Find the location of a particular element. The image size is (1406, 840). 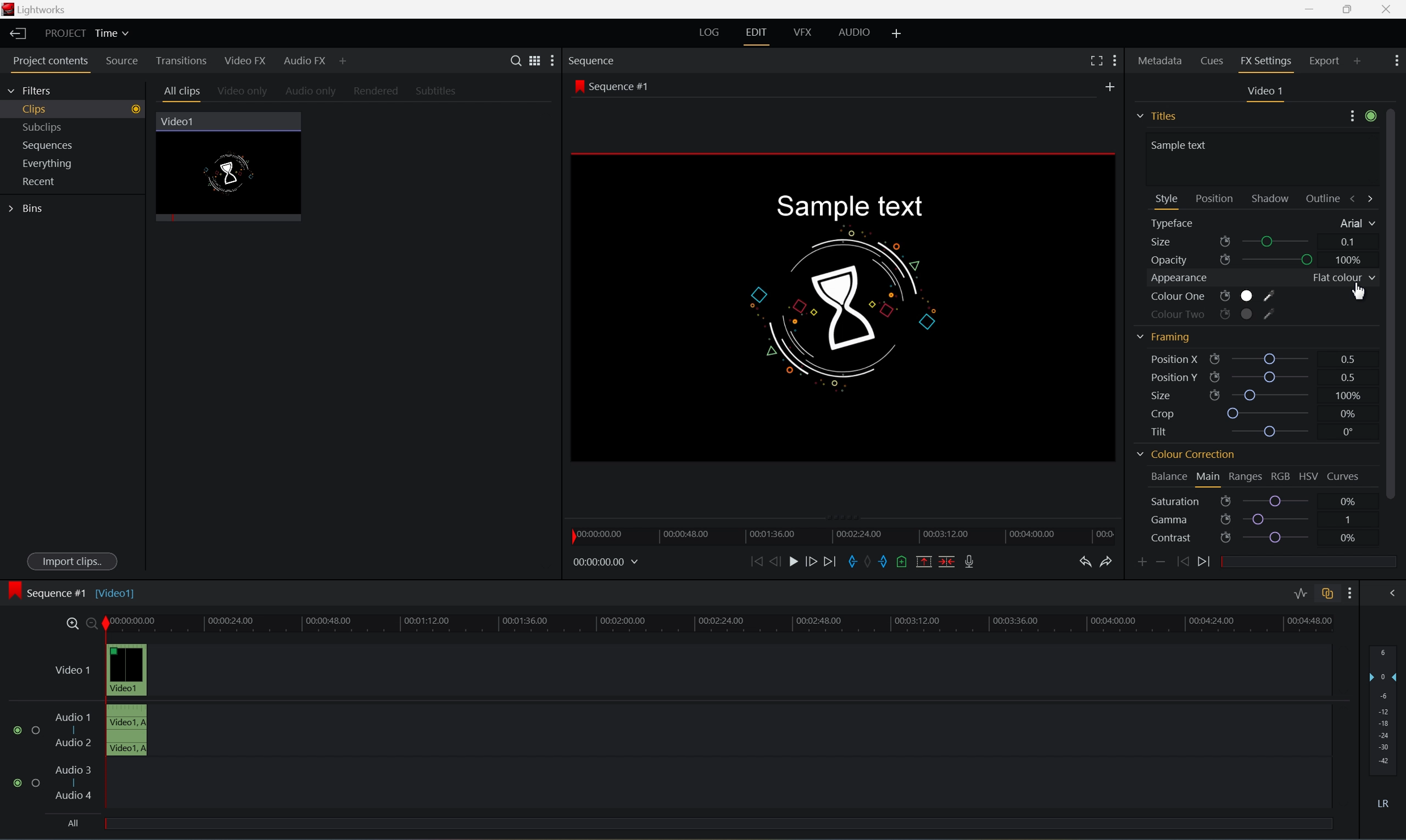

Video1 is located at coordinates (179, 122).